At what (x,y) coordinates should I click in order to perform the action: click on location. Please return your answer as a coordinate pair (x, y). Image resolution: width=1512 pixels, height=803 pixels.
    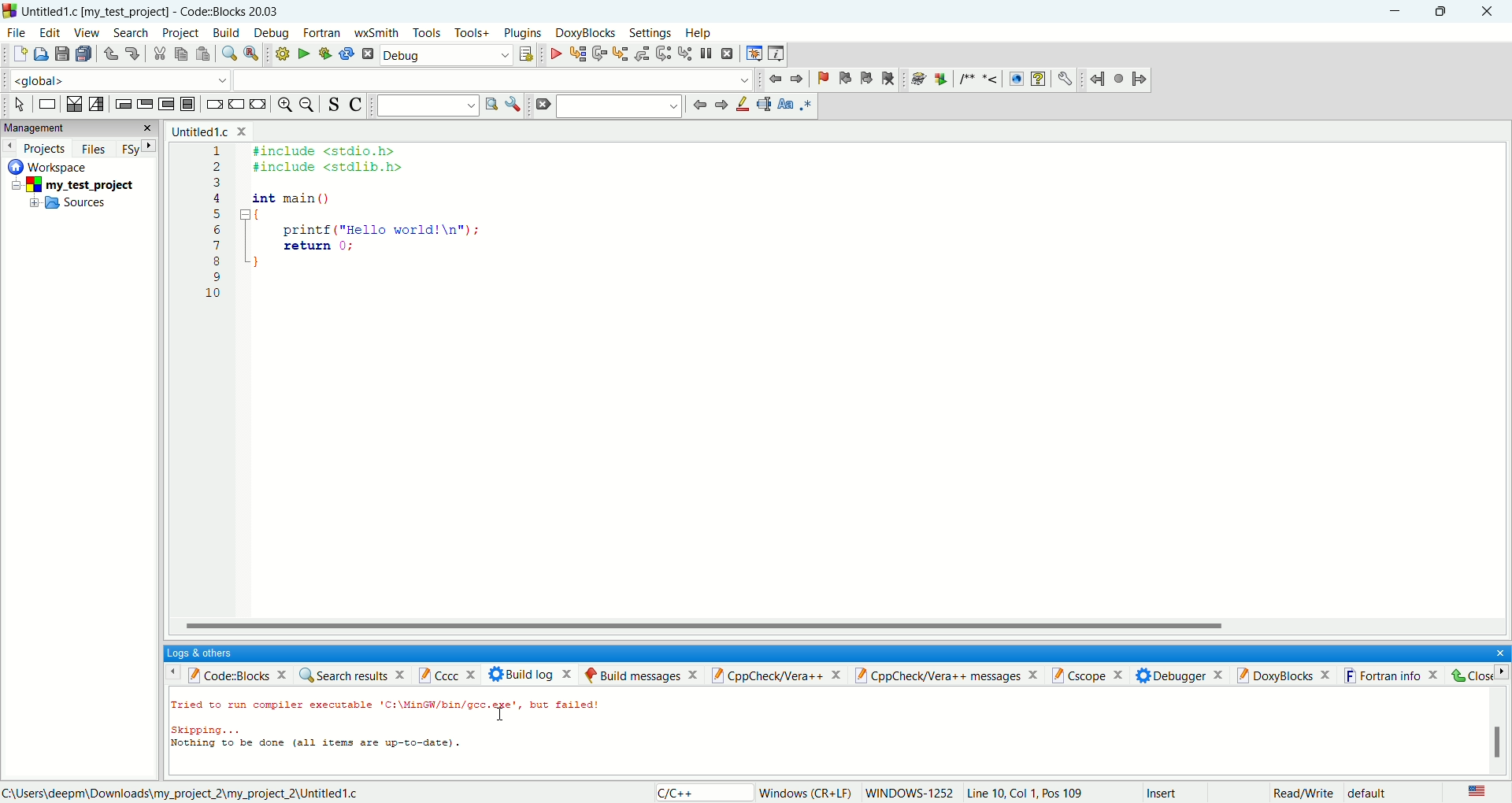
    Looking at the image, I should click on (180, 793).